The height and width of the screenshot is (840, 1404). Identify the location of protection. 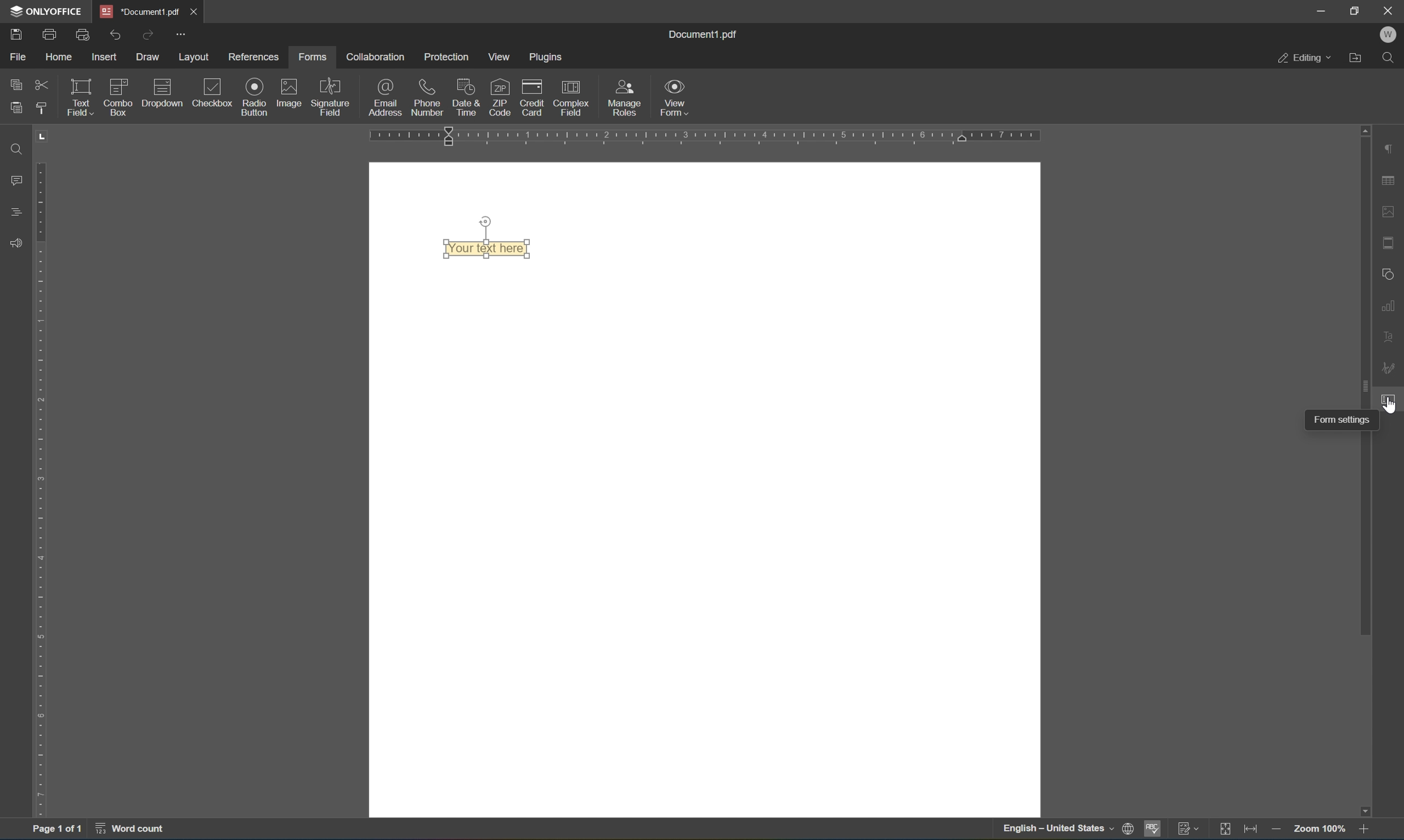
(450, 57).